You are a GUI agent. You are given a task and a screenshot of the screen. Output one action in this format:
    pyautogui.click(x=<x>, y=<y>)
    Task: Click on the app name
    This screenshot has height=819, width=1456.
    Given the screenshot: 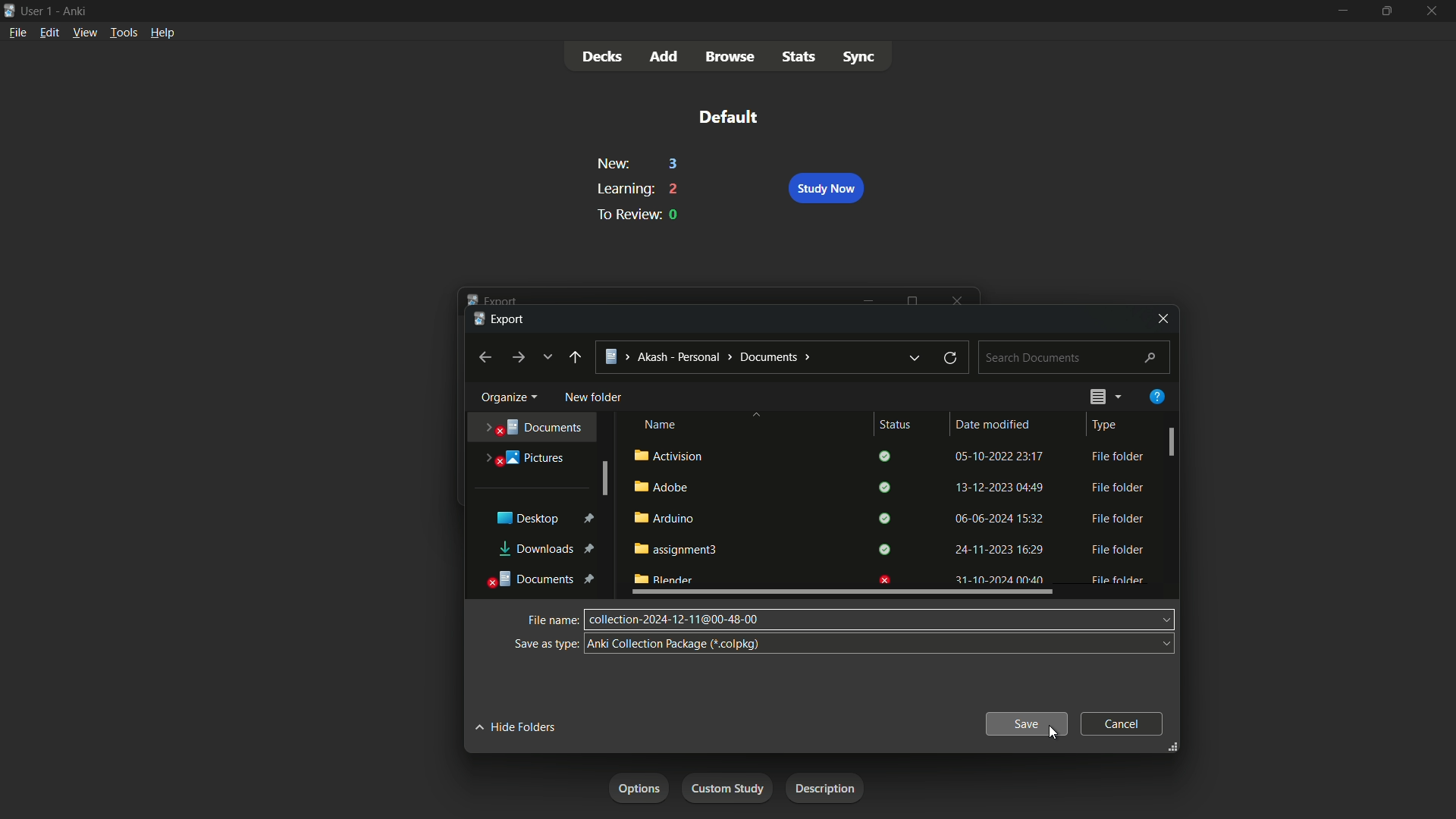 What is the action you would take?
    pyautogui.click(x=76, y=10)
    